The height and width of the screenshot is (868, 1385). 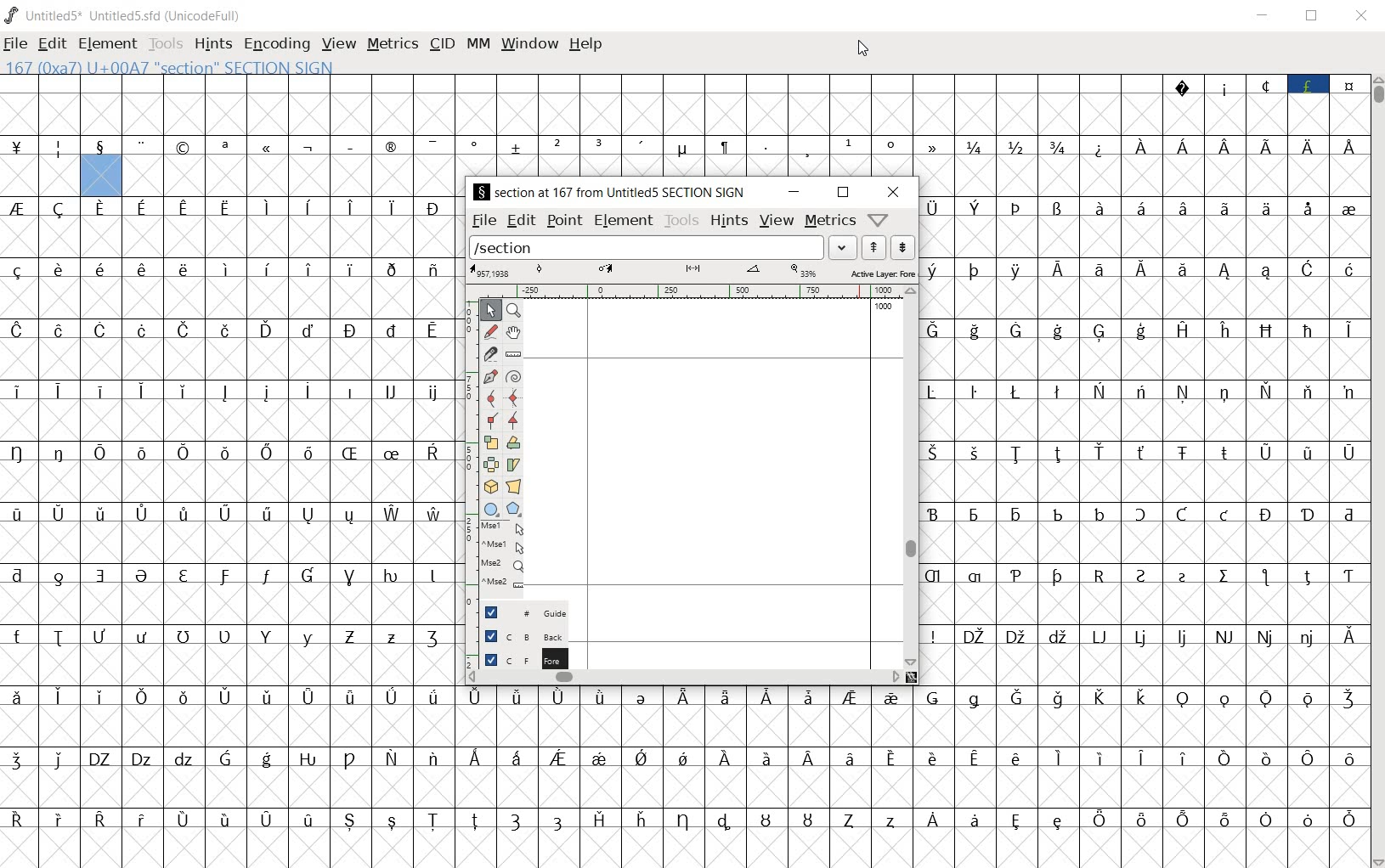 I want to click on empty cells, so click(x=229, y=482).